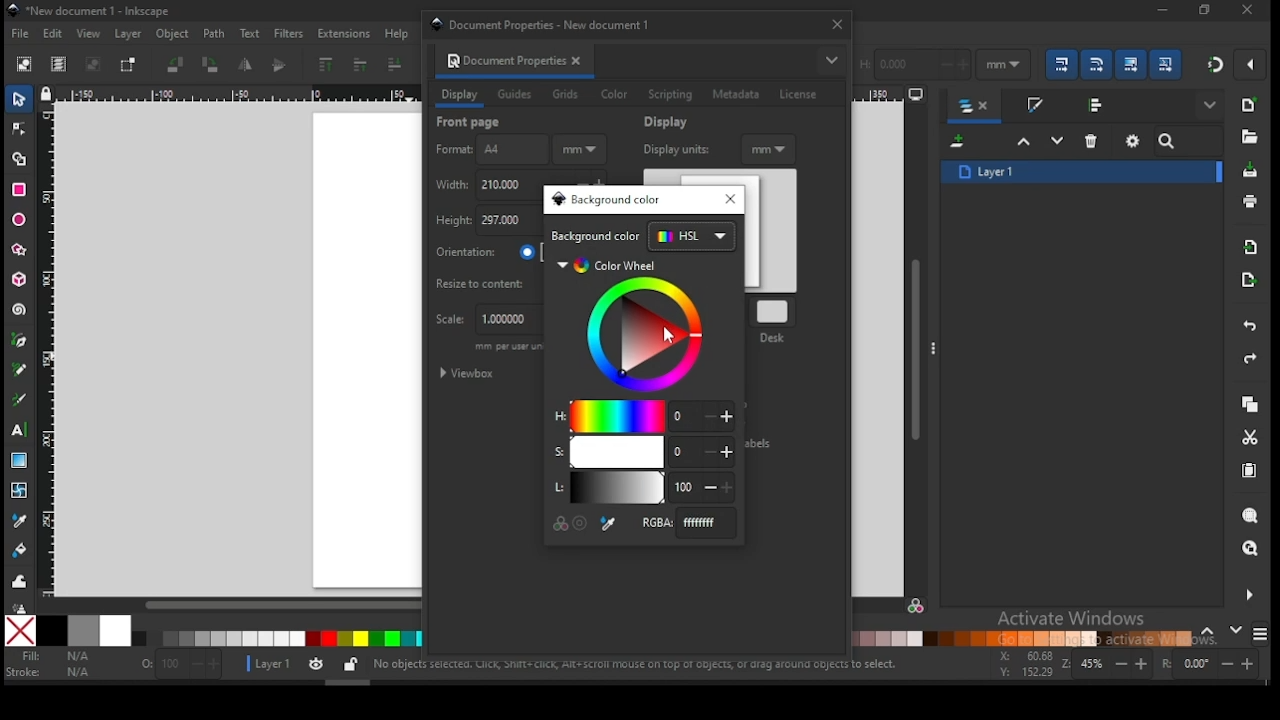  I want to click on hue, so click(643, 415).